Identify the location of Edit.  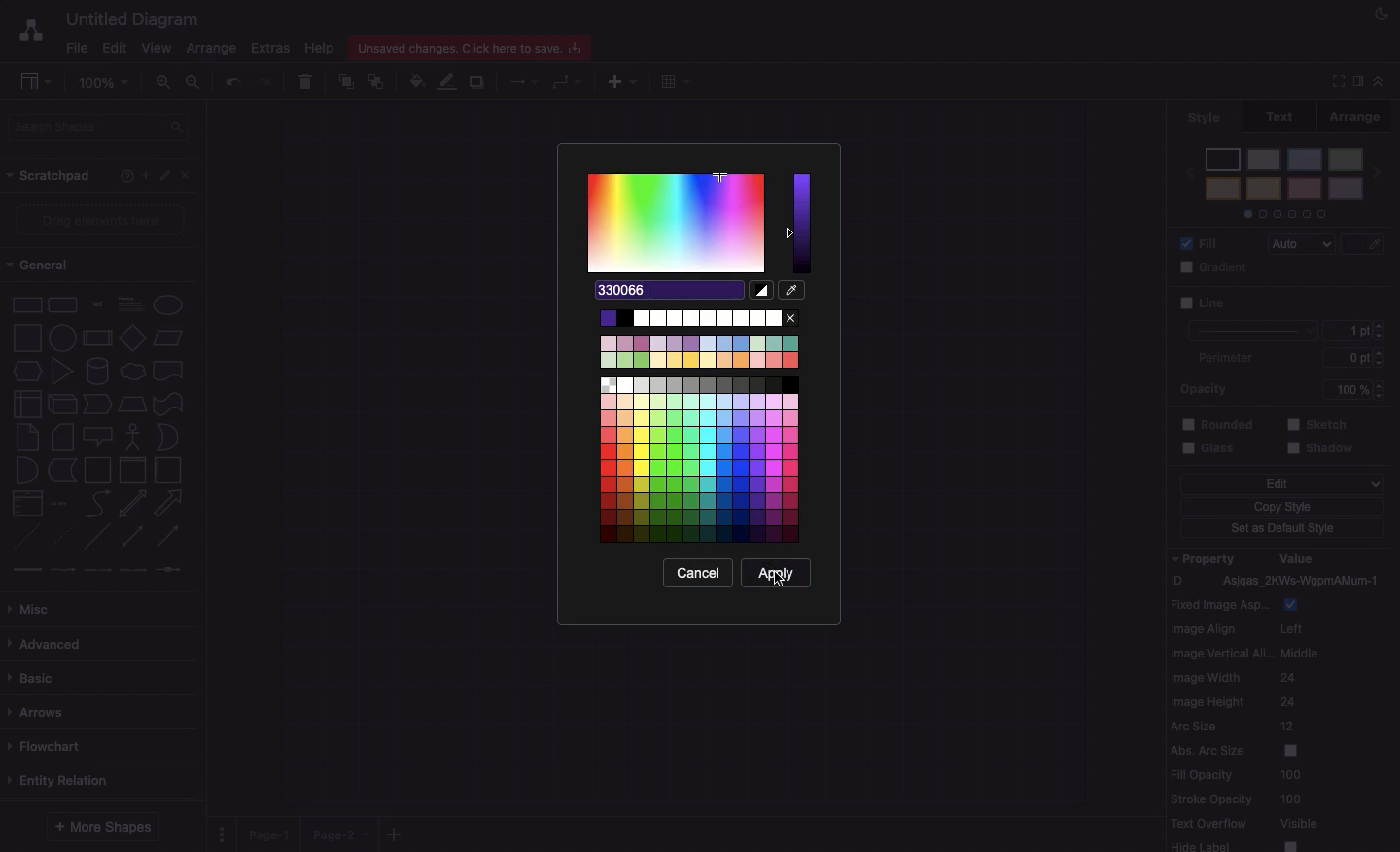
(114, 47).